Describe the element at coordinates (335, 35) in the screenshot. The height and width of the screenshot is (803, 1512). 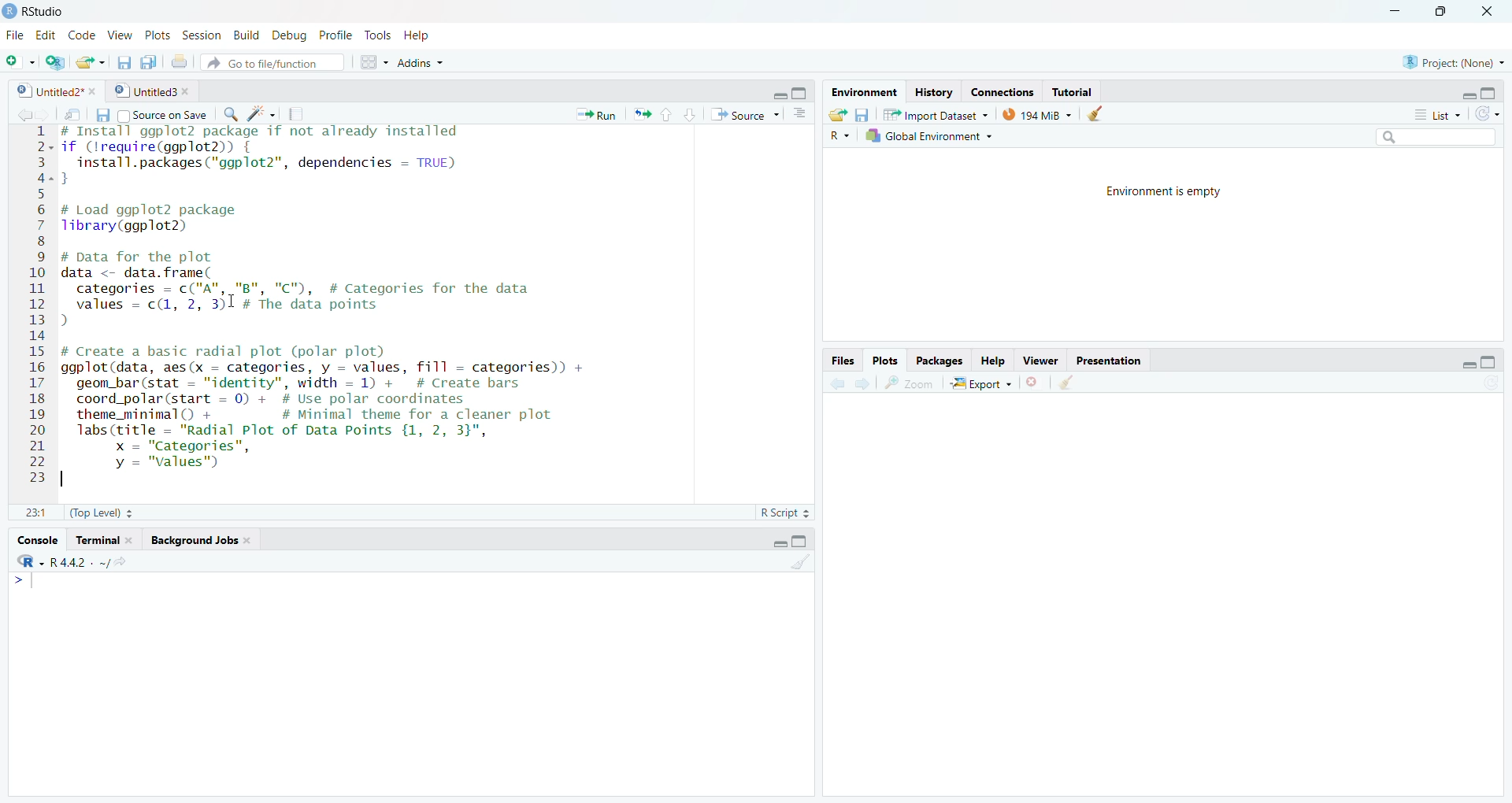
I see `Profile` at that location.